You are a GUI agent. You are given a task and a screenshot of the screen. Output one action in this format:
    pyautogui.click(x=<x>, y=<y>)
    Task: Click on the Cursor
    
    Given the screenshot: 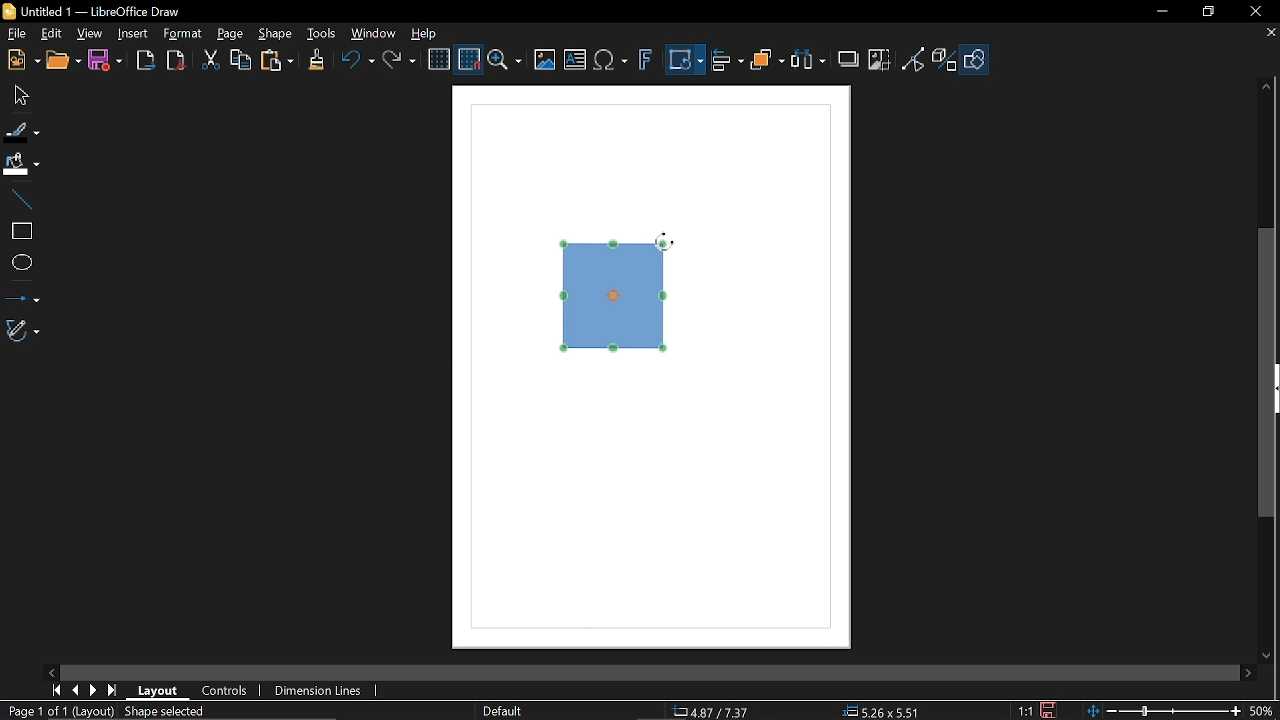 What is the action you would take?
    pyautogui.click(x=679, y=243)
    